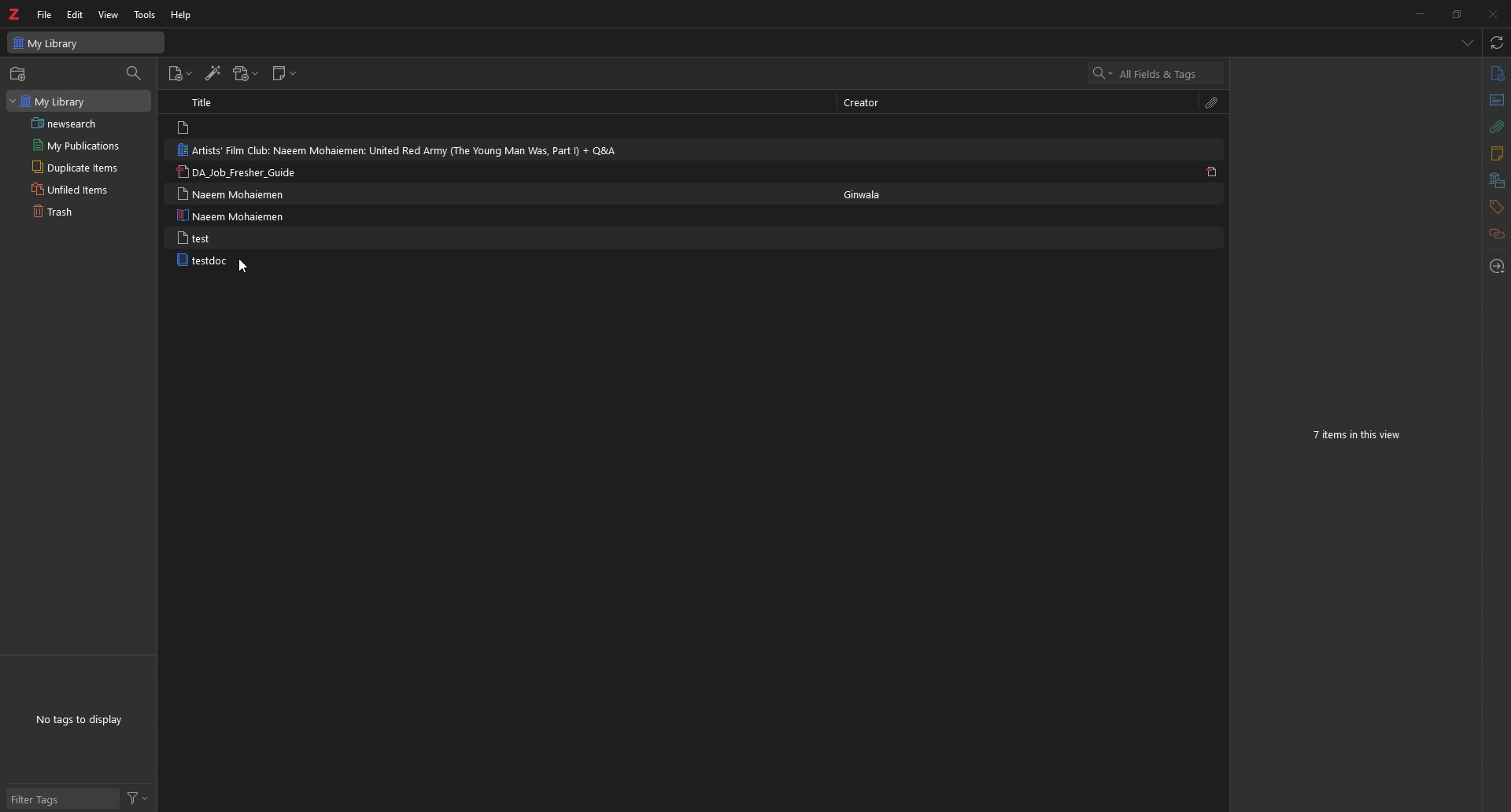 This screenshot has height=812, width=1511. I want to click on Close, so click(1497, 13).